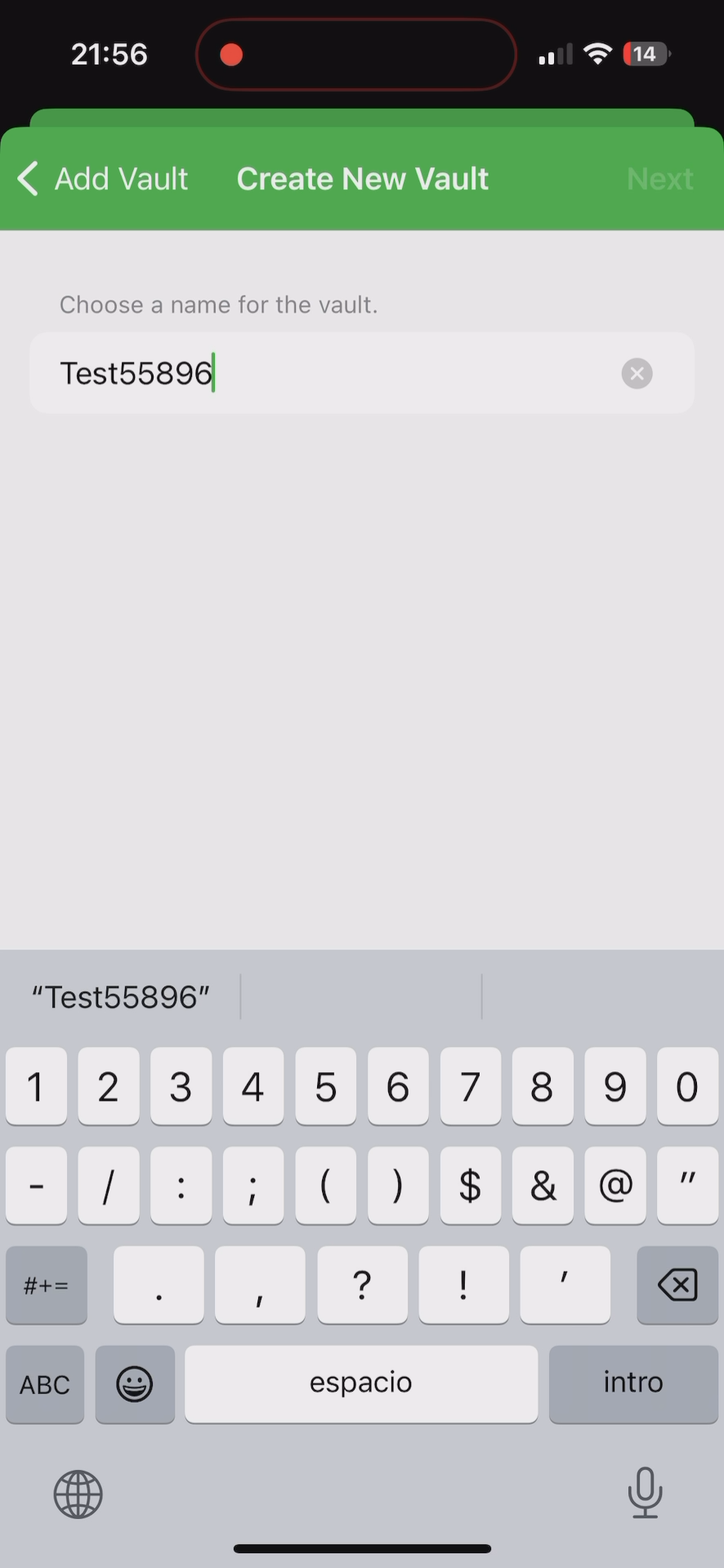 The height and width of the screenshot is (1568, 724). What do you see at coordinates (103, 178) in the screenshot?
I see `add vault` at bounding box center [103, 178].